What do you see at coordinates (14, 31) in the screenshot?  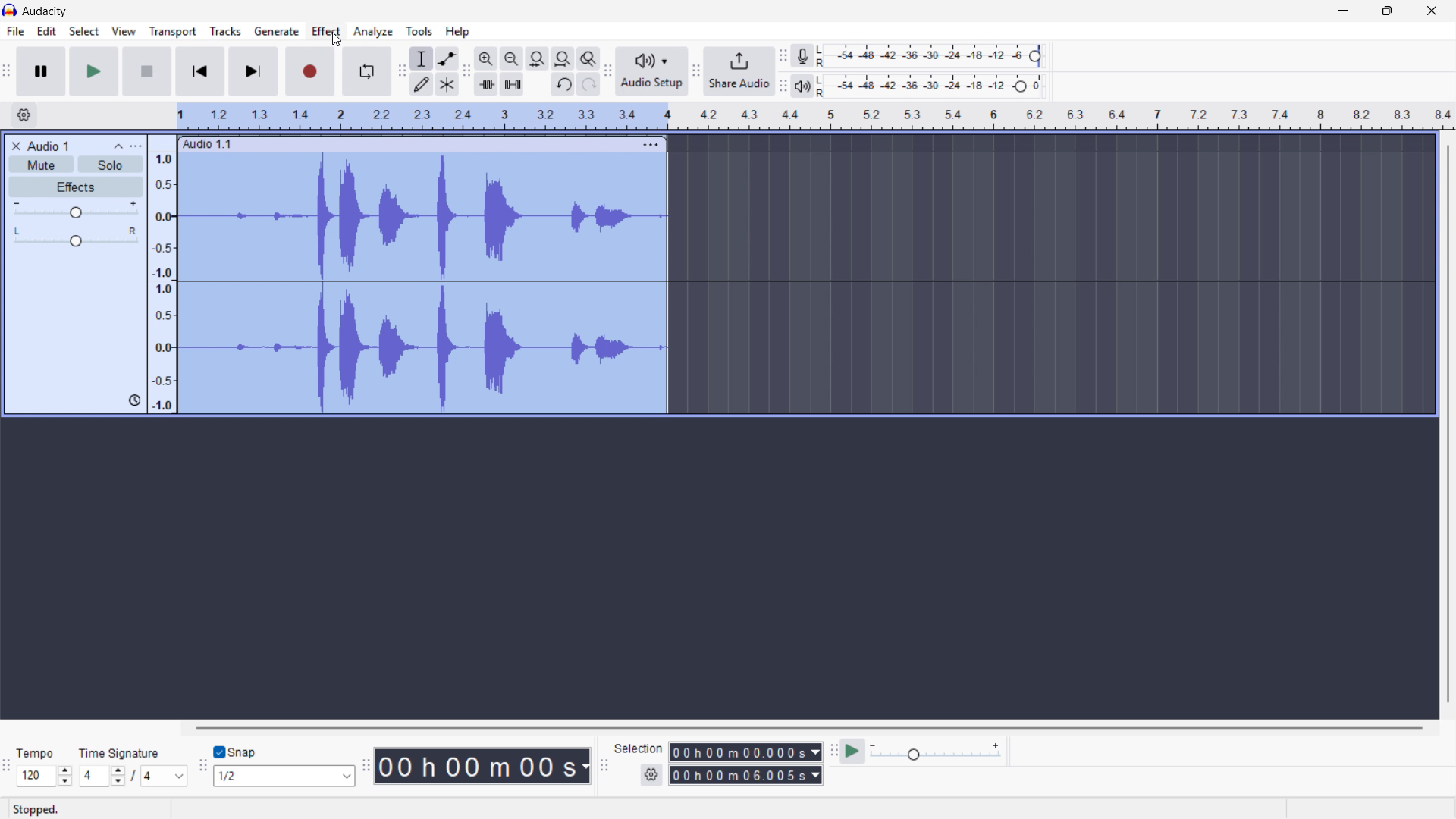 I see `file ` at bounding box center [14, 31].